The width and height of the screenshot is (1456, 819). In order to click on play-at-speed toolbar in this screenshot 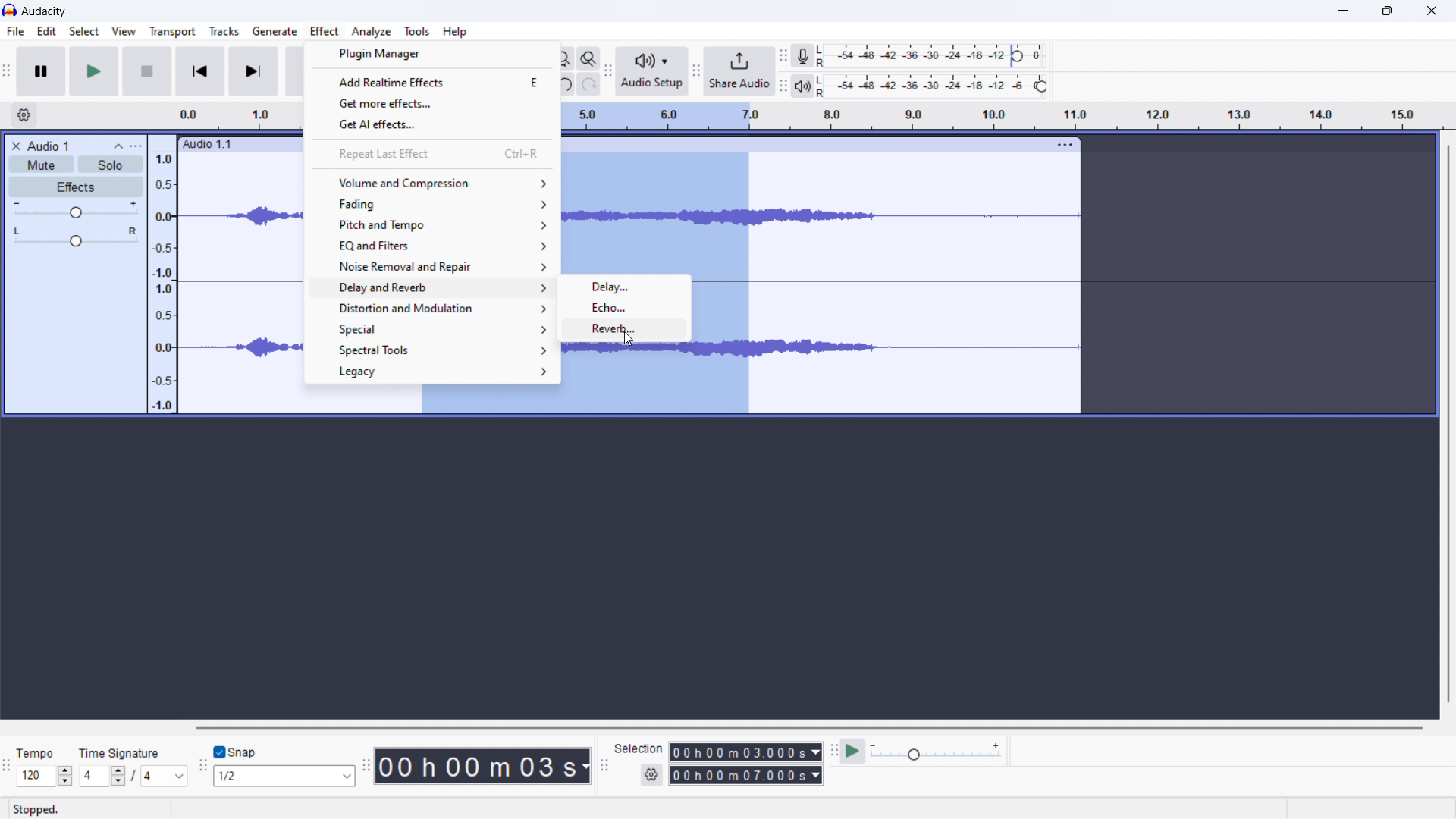, I will do `click(835, 750)`.